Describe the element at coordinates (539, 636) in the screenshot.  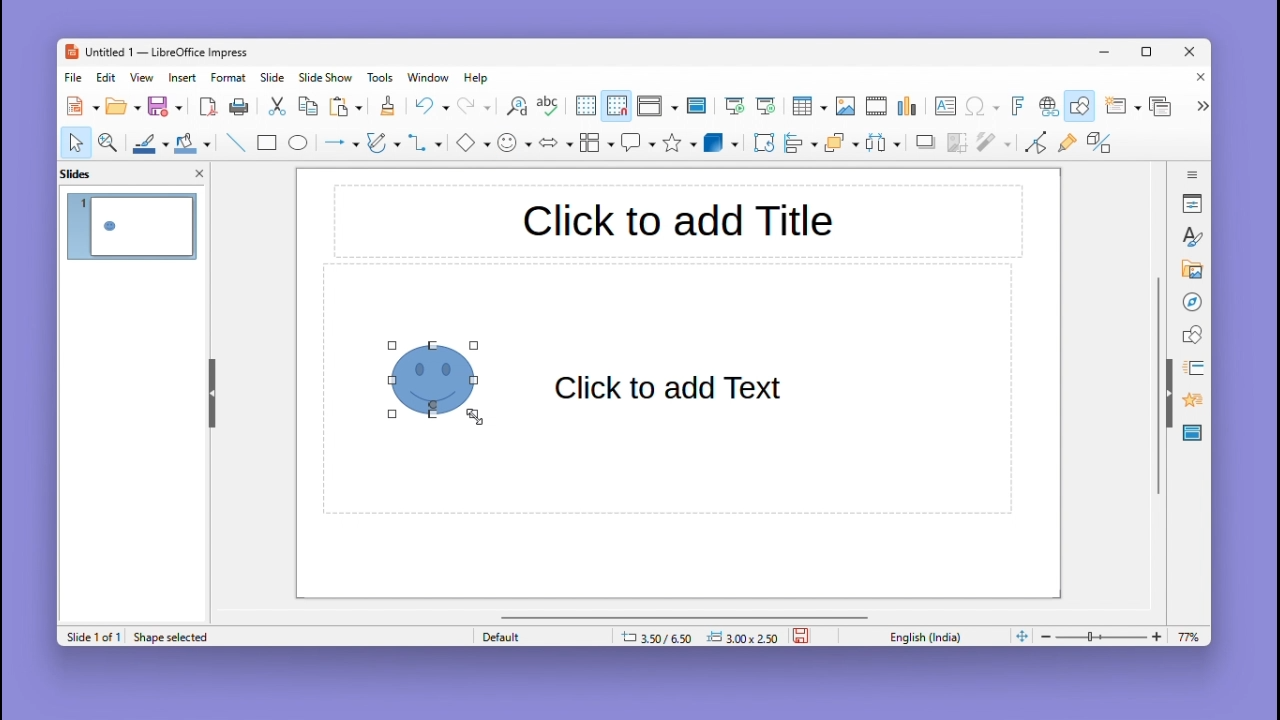
I see `Default` at that location.